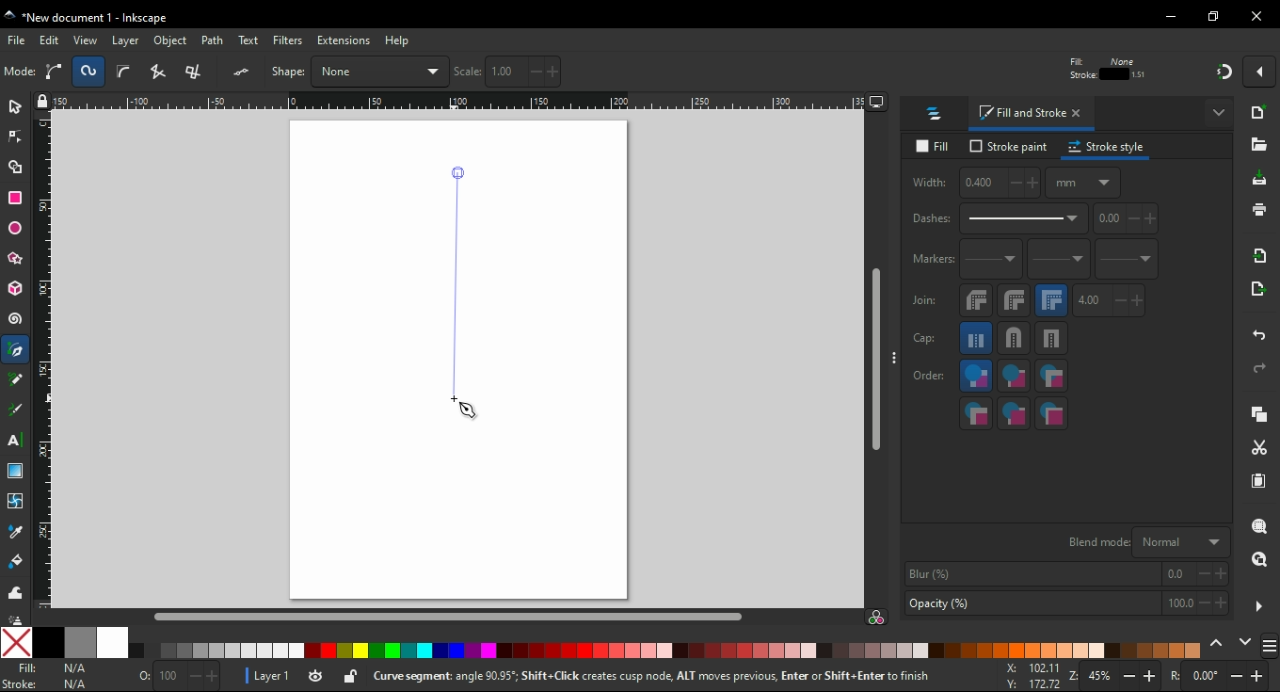  Describe the element at coordinates (214, 40) in the screenshot. I see `path` at that location.